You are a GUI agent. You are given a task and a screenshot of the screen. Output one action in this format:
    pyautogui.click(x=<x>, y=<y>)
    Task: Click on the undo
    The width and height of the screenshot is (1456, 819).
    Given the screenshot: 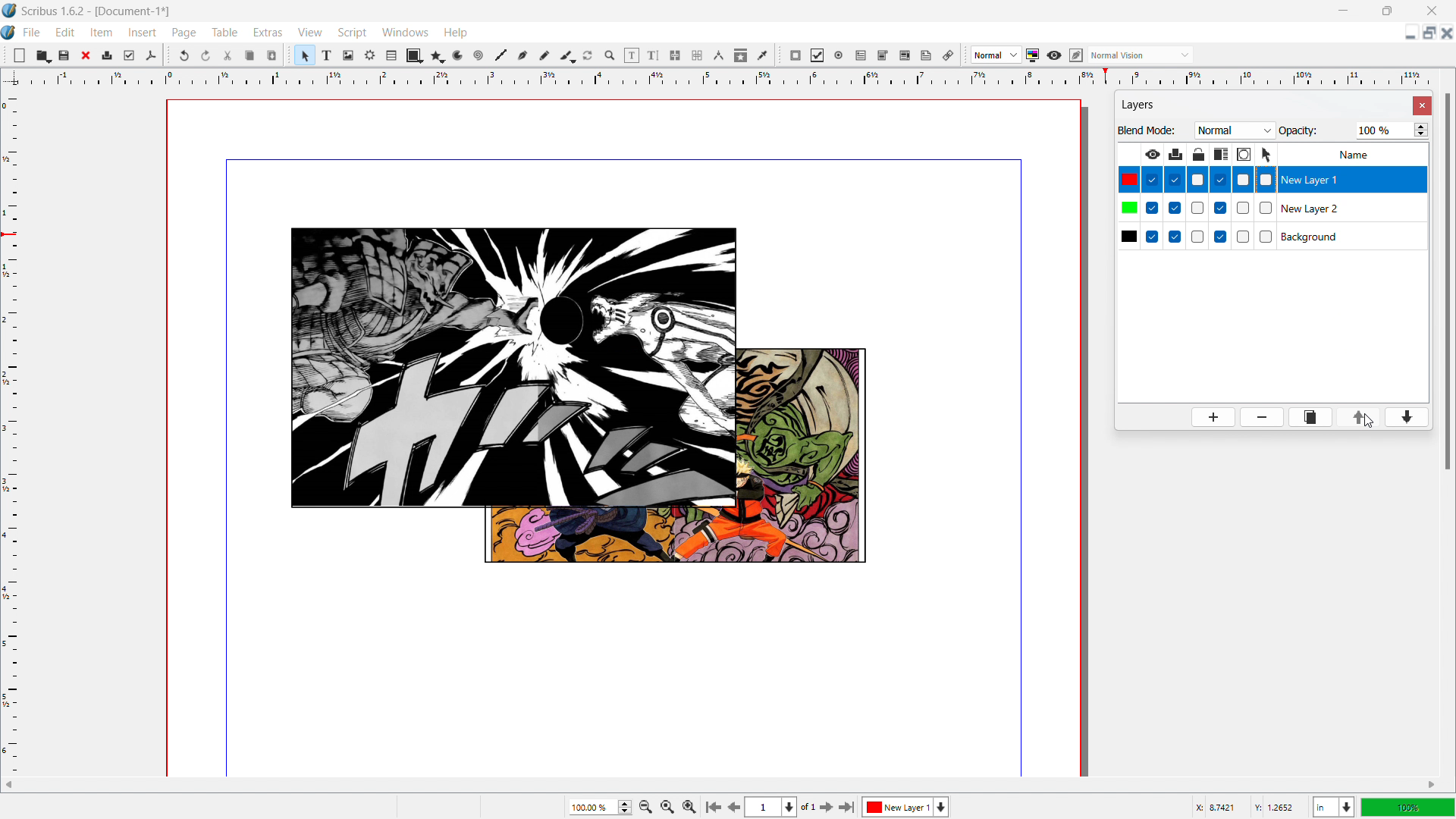 What is the action you would take?
    pyautogui.click(x=184, y=55)
    